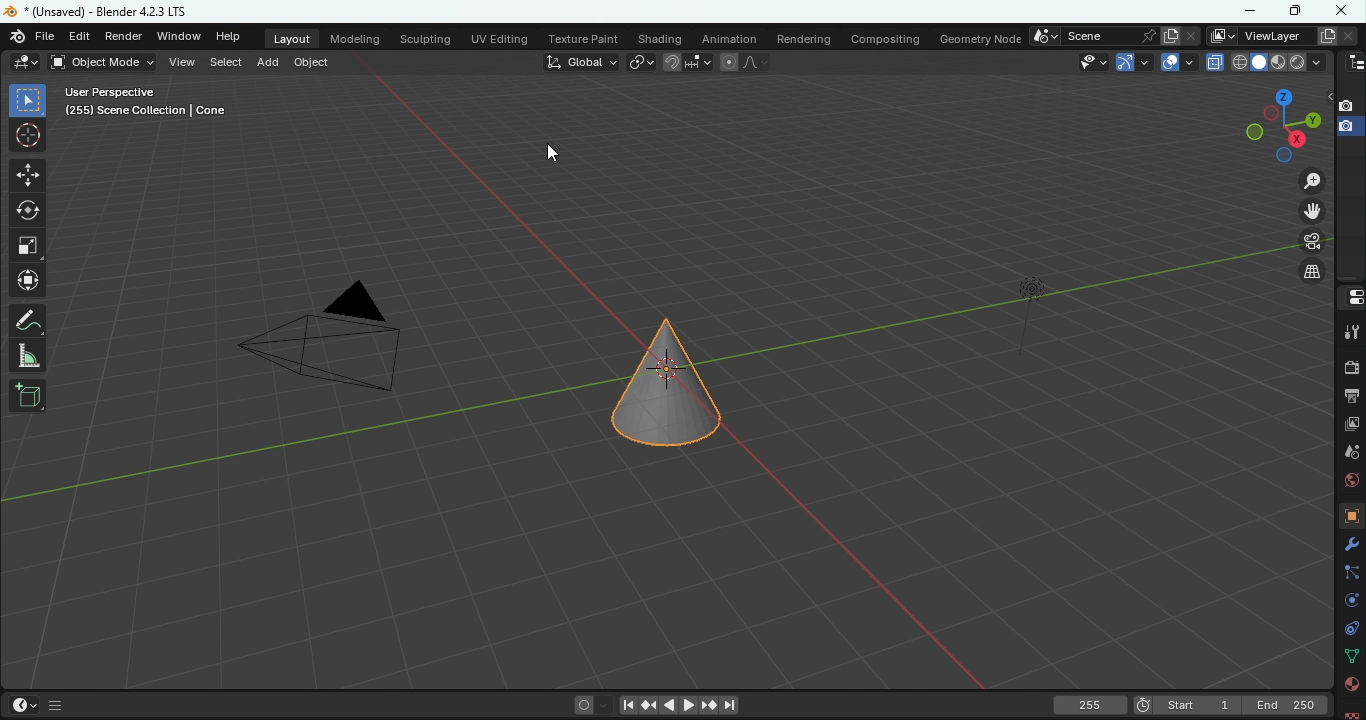 The height and width of the screenshot is (720, 1366). What do you see at coordinates (499, 36) in the screenshot?
I see `UV Editing` at bounding box center [499, 36].